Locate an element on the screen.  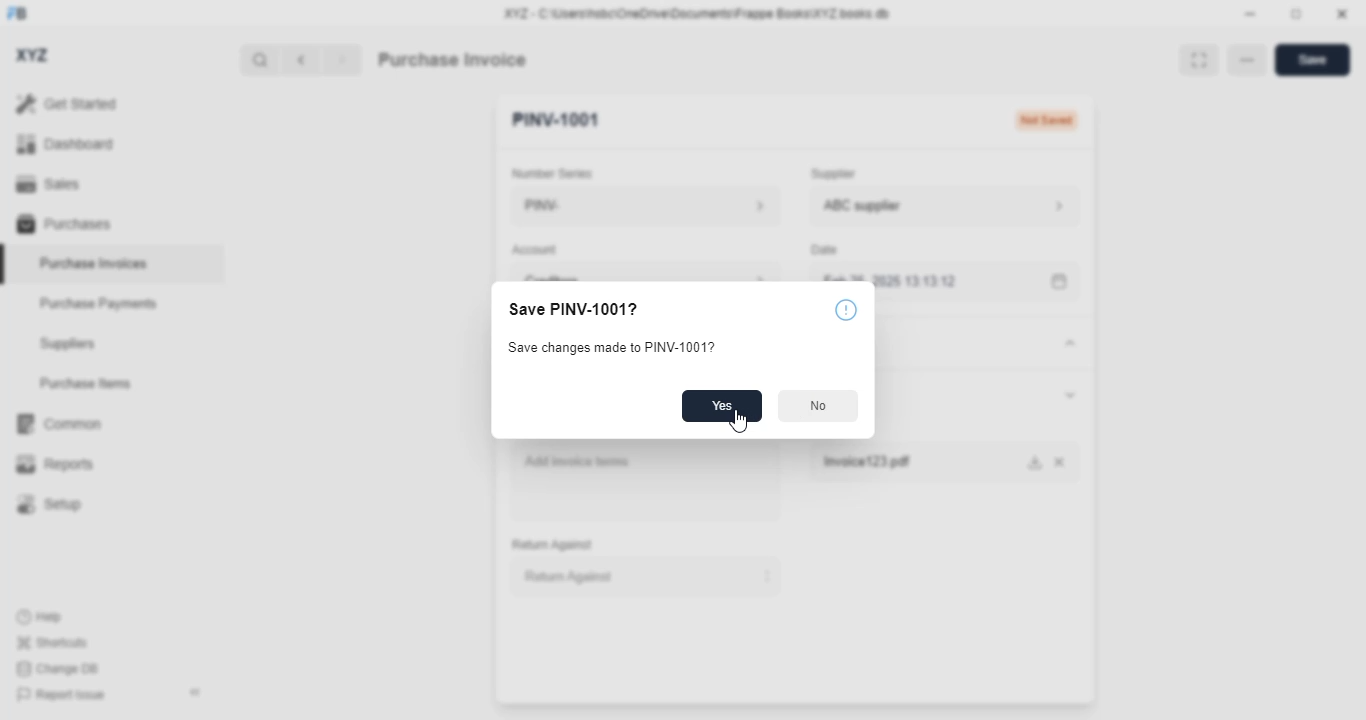
cursor is located at coordinates (739, 421).